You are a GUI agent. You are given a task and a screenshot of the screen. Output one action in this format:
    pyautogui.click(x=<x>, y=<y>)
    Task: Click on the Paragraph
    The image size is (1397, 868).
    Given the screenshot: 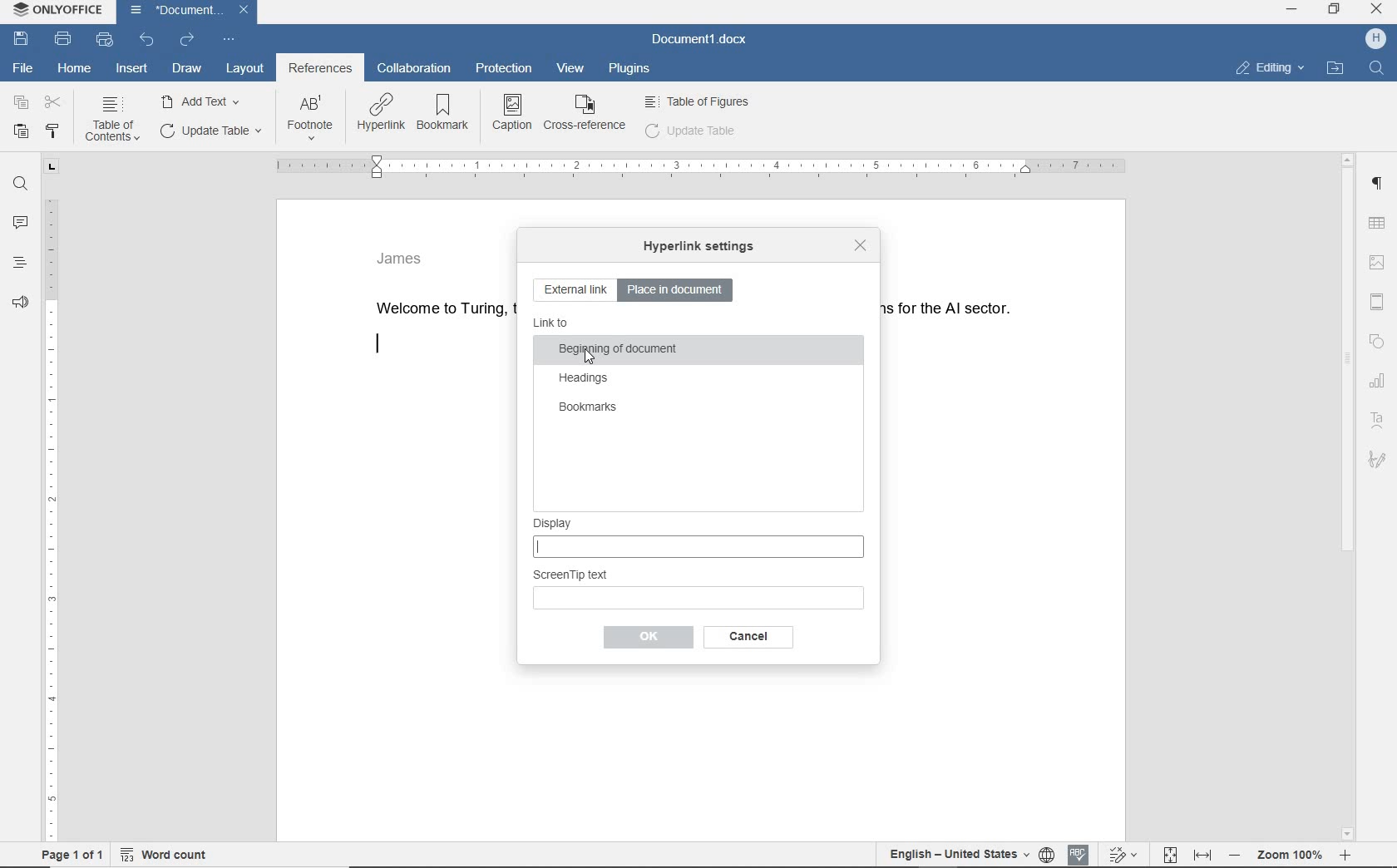 What is the action you would take?
    pyautogui.click(x=1381, y=184)
    